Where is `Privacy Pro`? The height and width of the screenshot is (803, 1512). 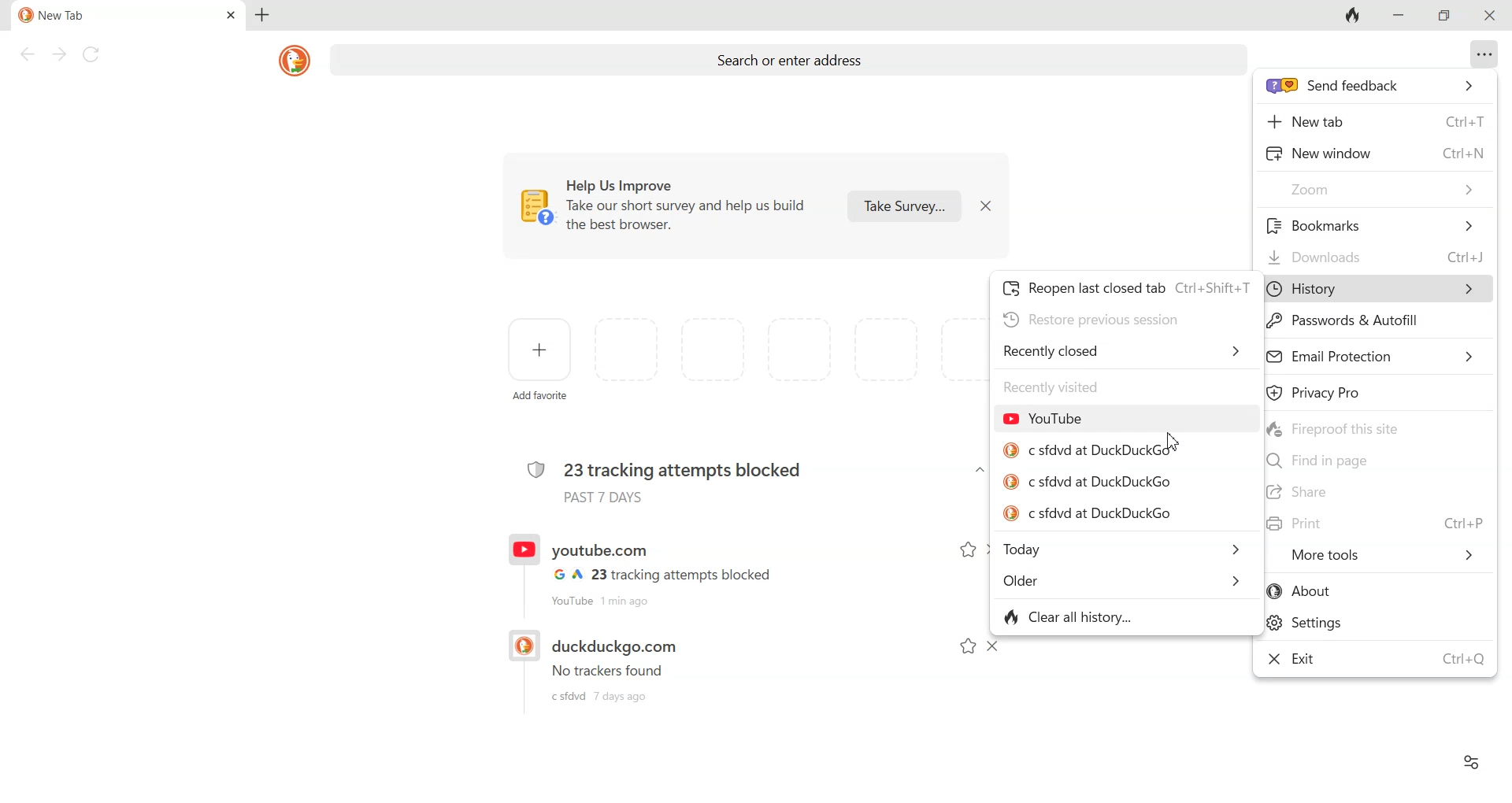 Privacy Pro is located at coordinates (1375, 391).